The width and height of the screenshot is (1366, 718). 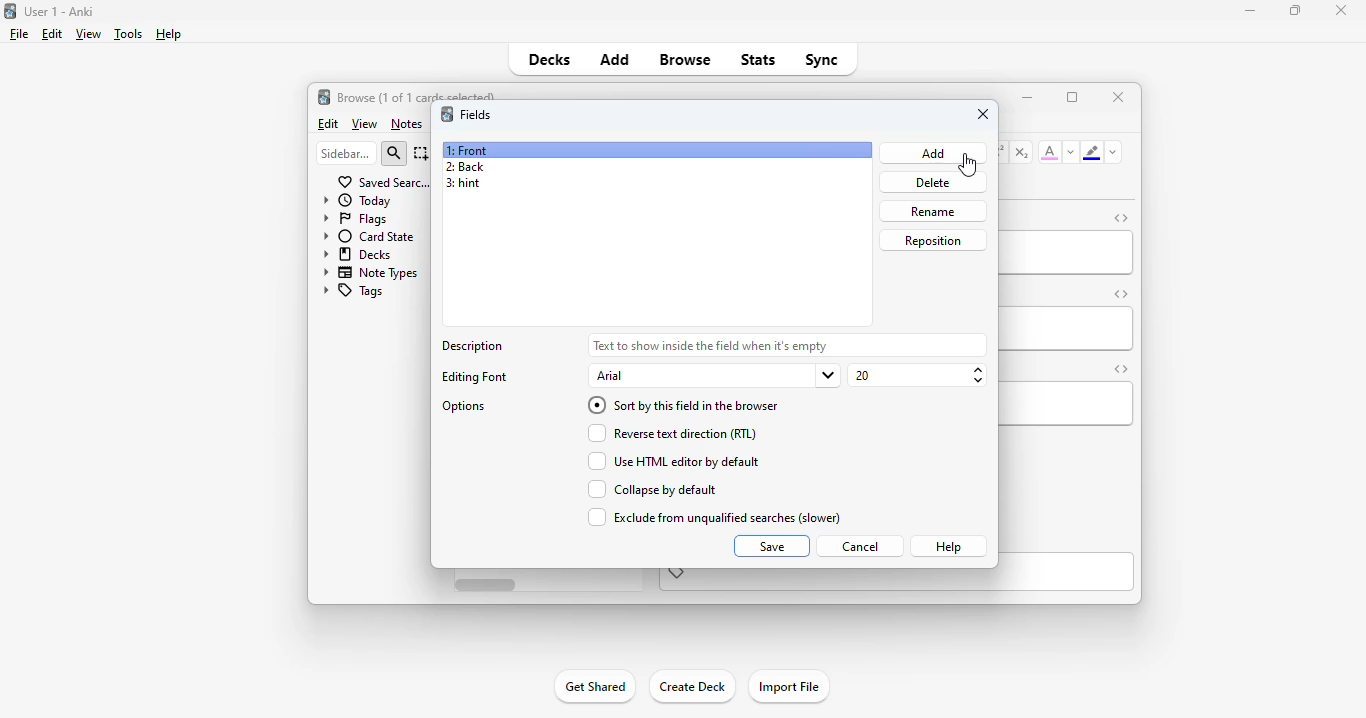 I want to click on flags, so click(x=353, y=218).